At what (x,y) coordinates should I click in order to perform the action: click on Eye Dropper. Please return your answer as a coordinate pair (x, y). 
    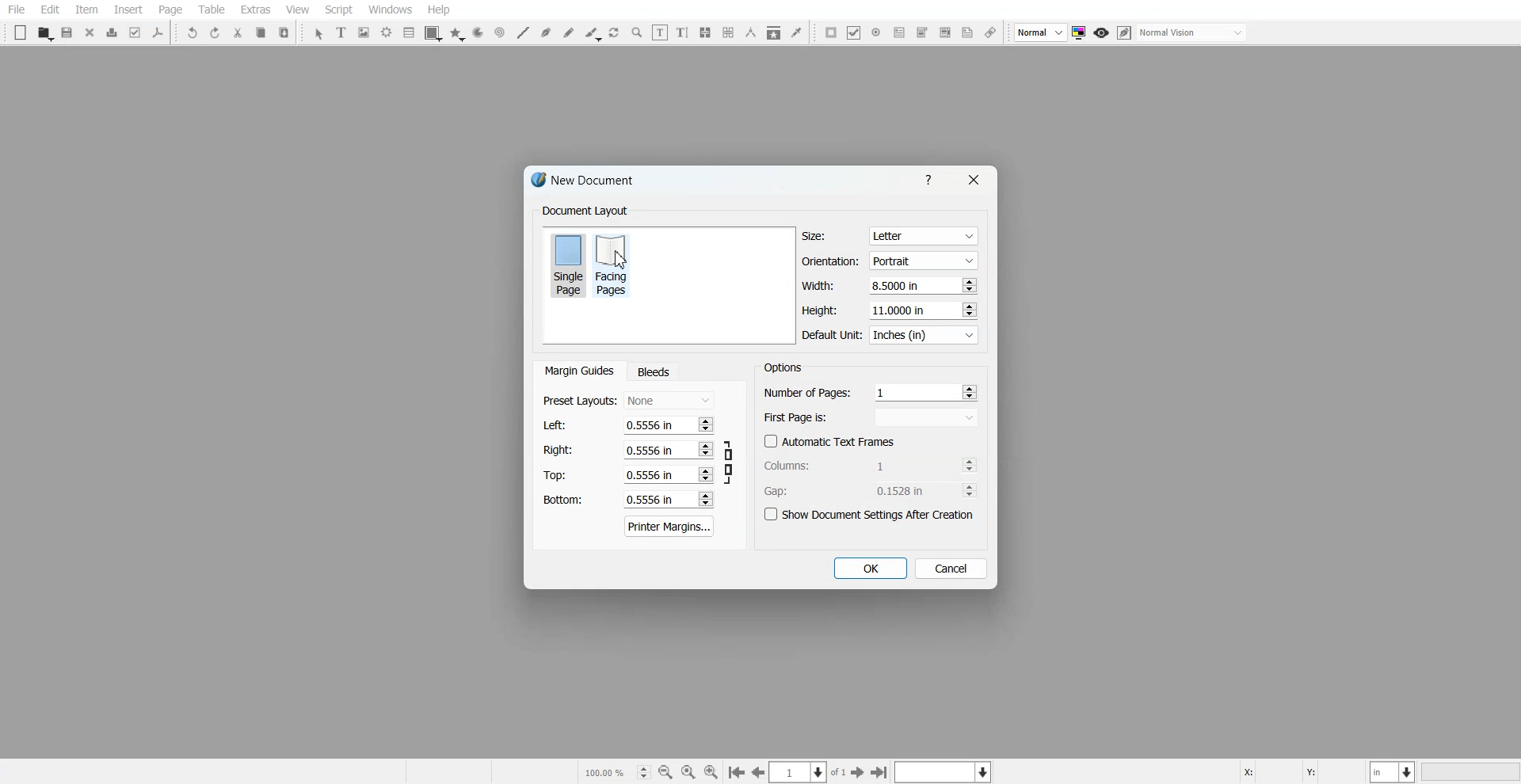
    Looking at the image, I should click on (796, 32).